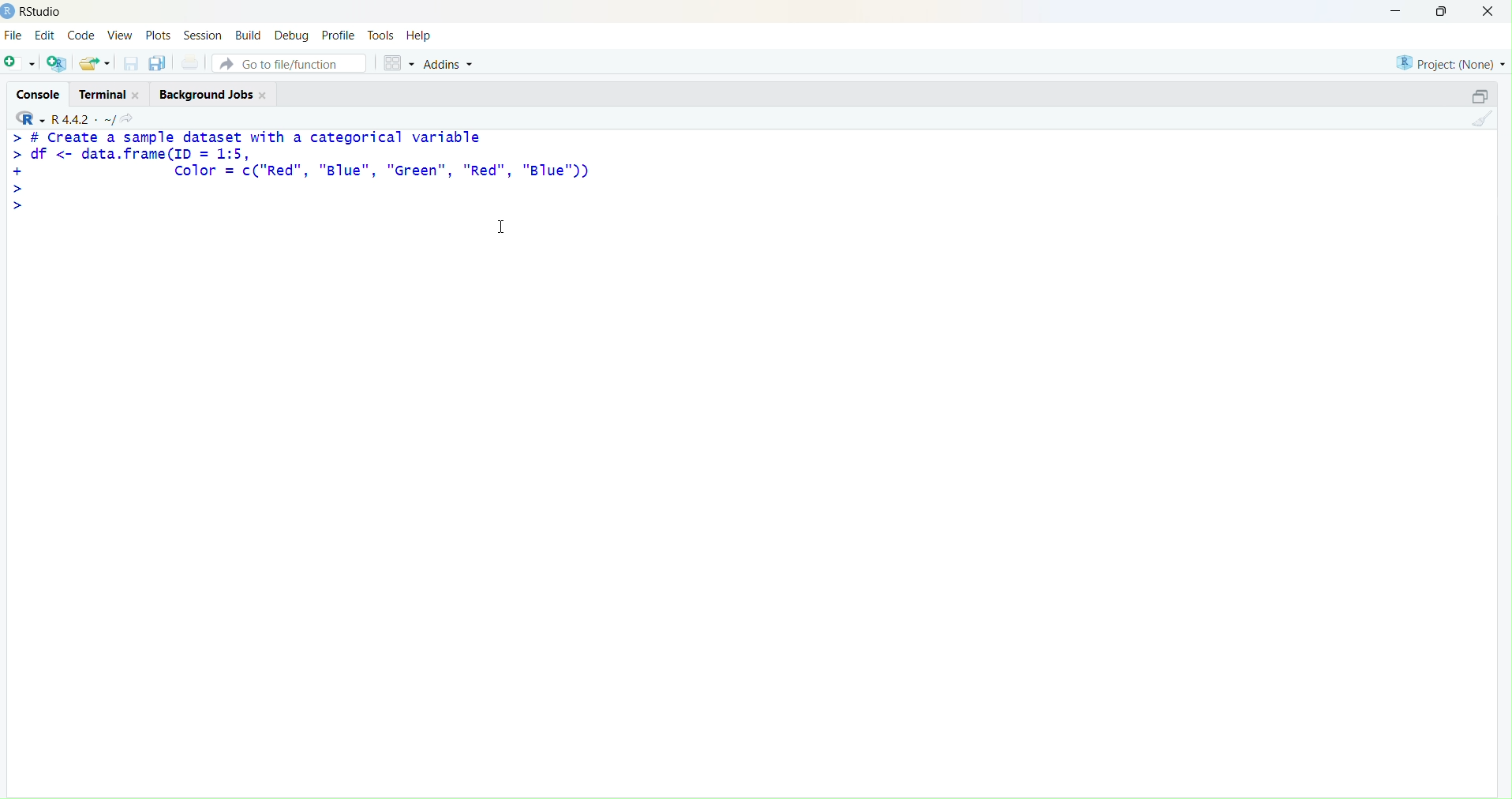 This screenshot has height=799, width=1512. What do you see at coordinates (127, 118) in the screenshot?
I see `share icon` at bounding box center [127, 118].